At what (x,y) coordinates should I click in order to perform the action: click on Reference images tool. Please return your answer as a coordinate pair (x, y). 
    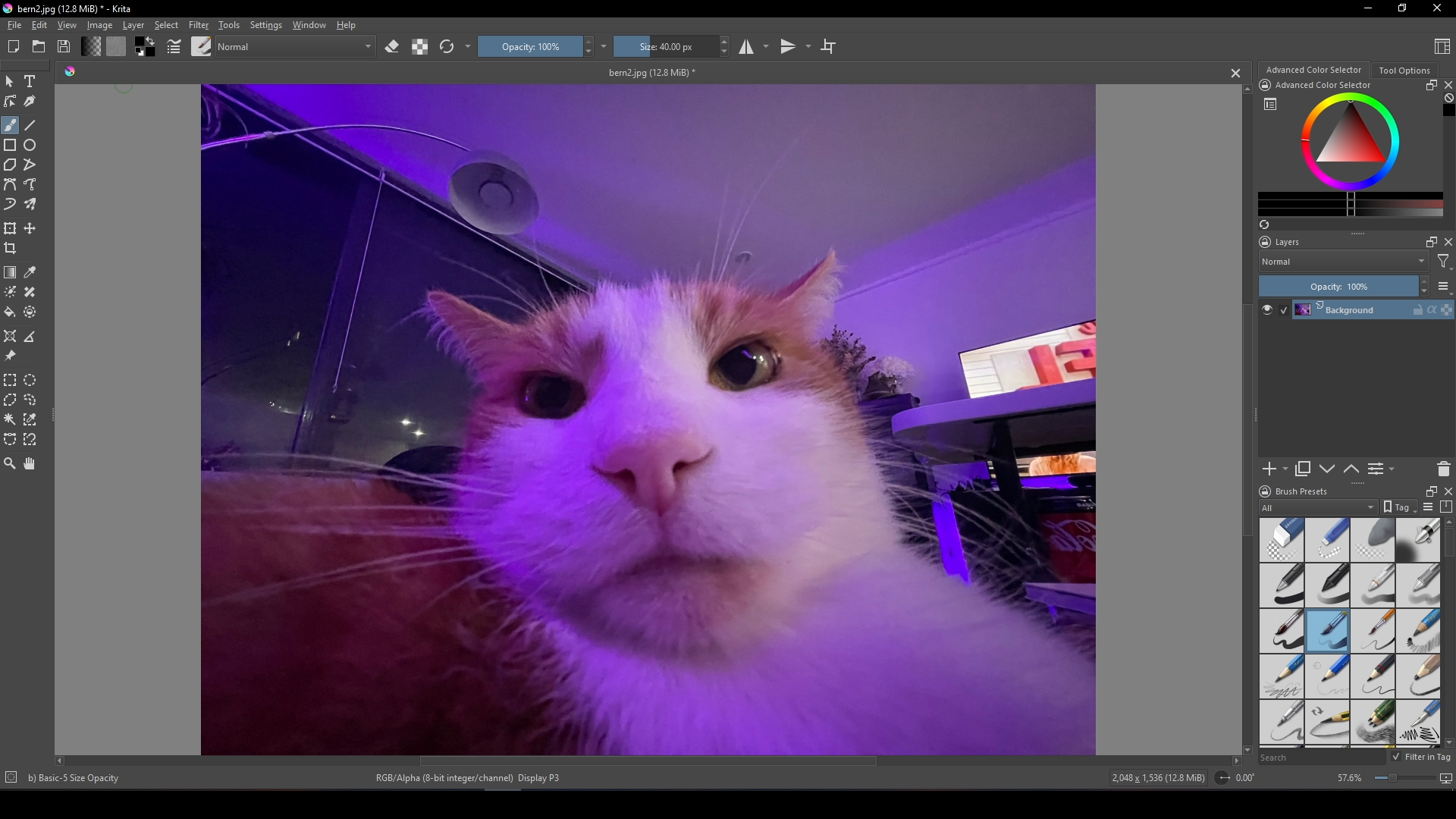
    Looking at the image, I should click on (9, 356).